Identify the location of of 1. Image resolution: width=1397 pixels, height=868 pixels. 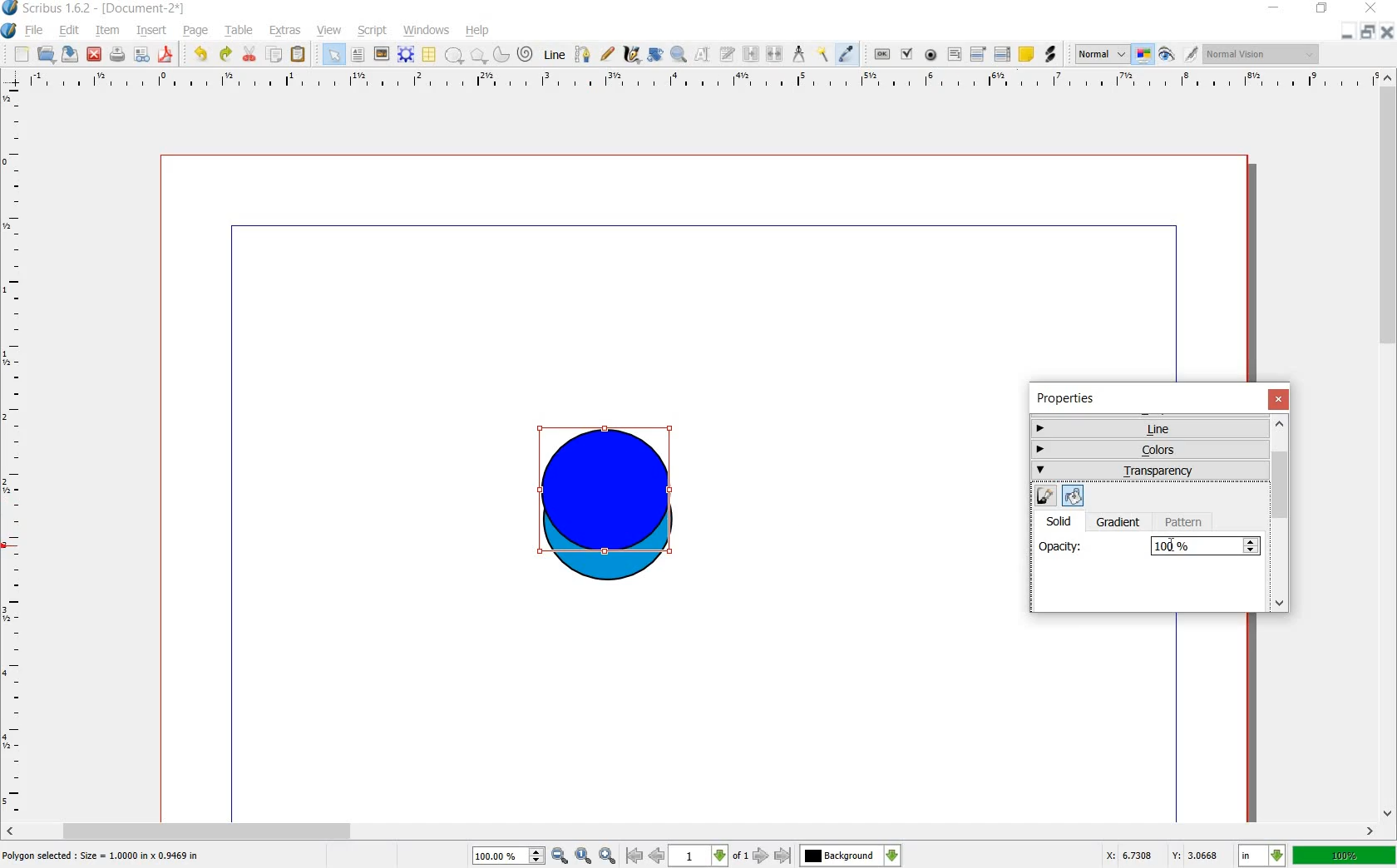
(740, 856).